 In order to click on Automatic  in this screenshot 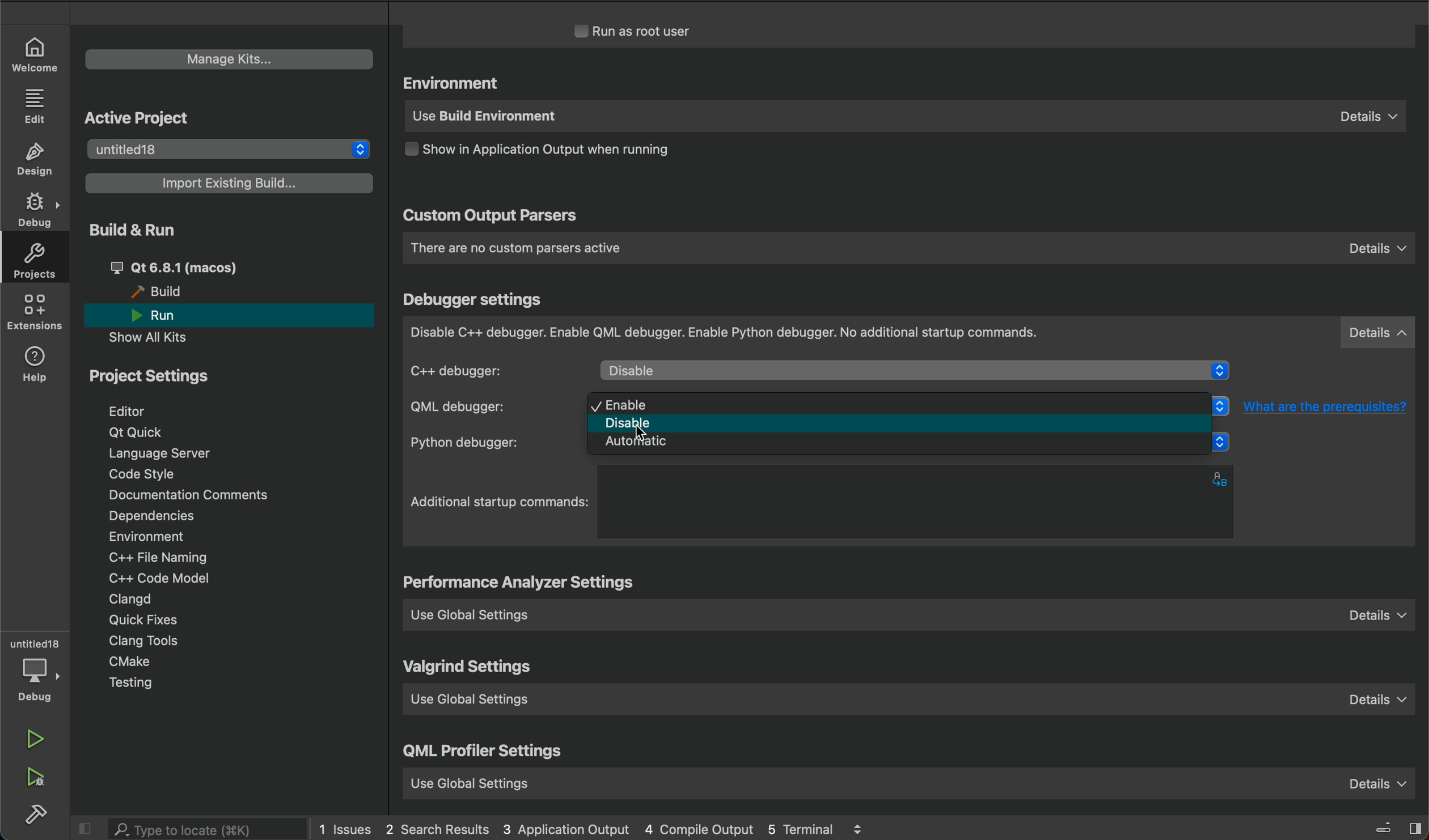, I will do `click(907, 447)`.